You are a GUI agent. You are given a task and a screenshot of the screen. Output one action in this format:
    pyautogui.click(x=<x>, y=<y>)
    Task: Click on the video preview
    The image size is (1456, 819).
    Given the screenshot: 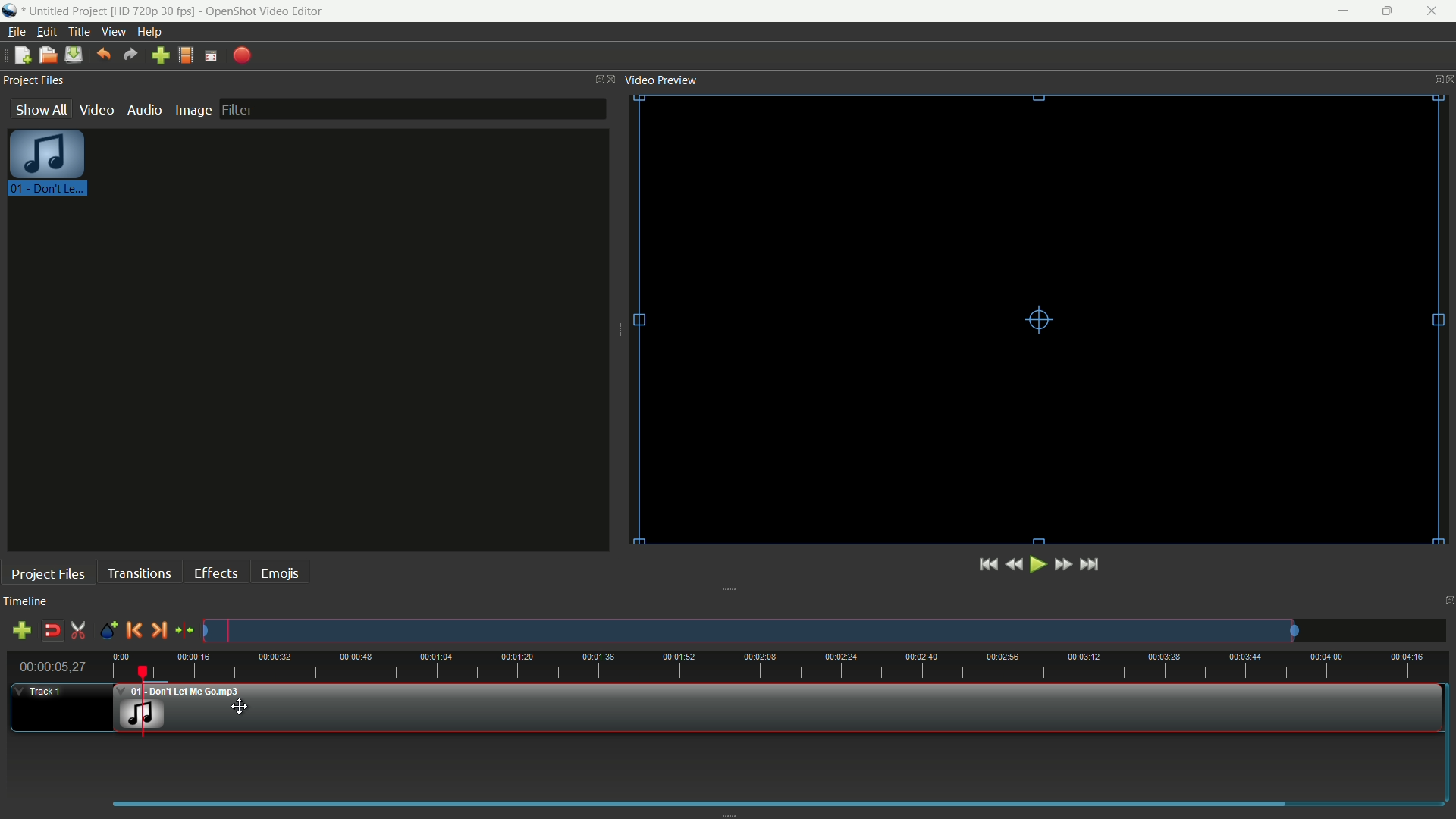 What is the action you would take?
    pyautogui.click(x=1028, y=322)
    